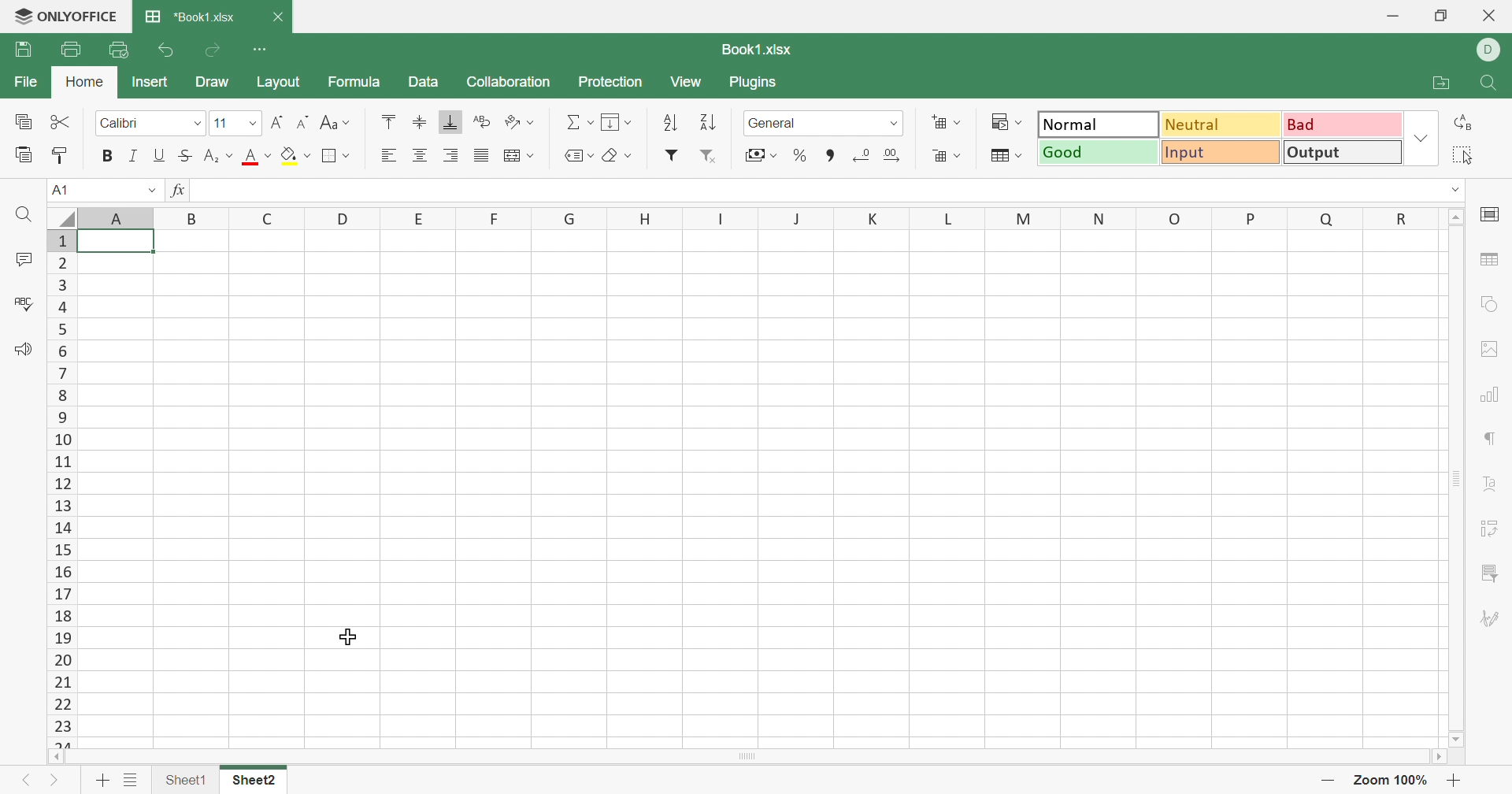 Image resolution: width=1512 pixels, height=794 pixels. Describe the element at coordinates (109, 157) in the screenshot. I see `Bold` at that location.